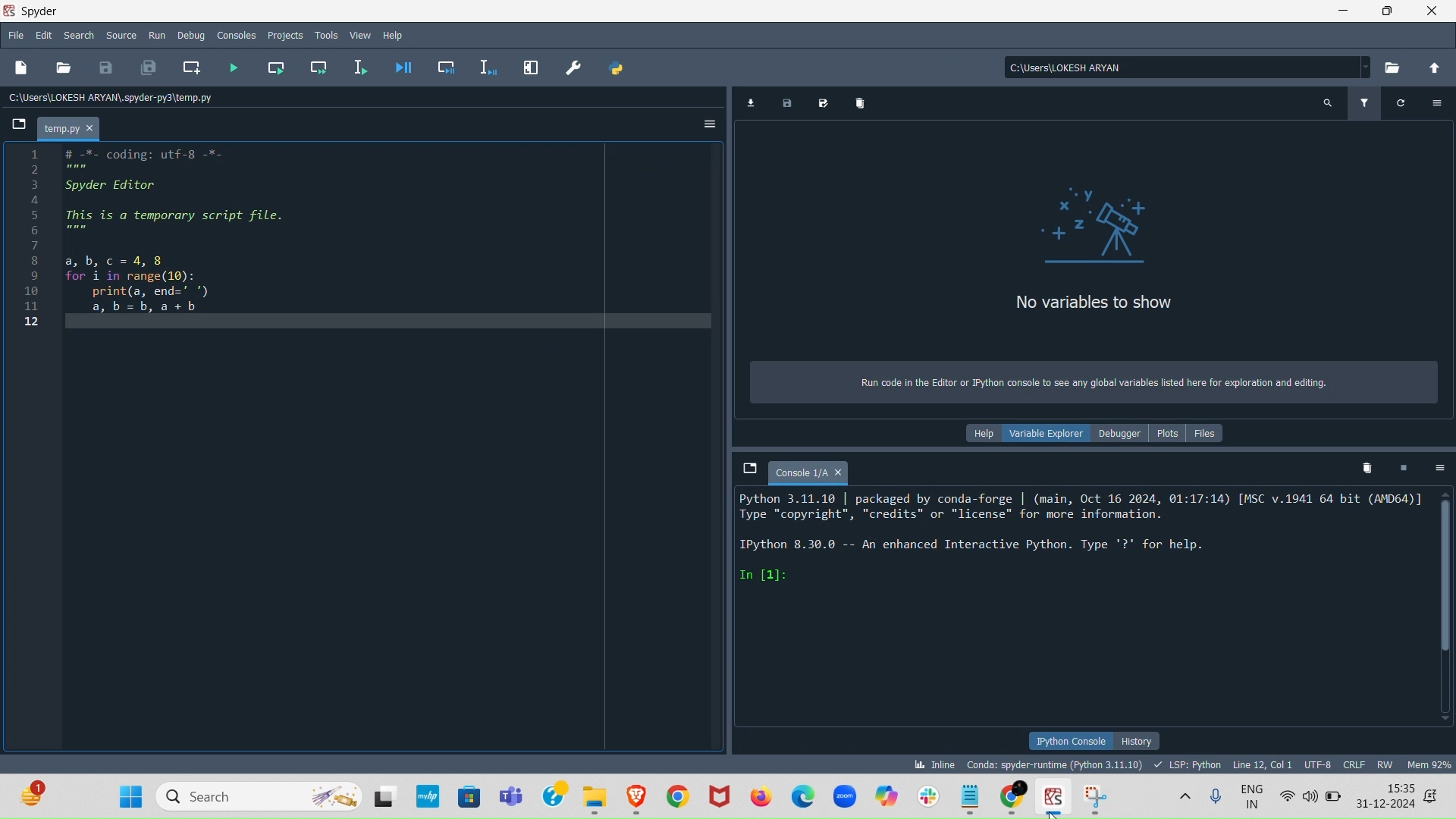  What do you see at coordinates (1088, 387) in the screenshot?
I see `Text` at bounding box center [1088, 387].